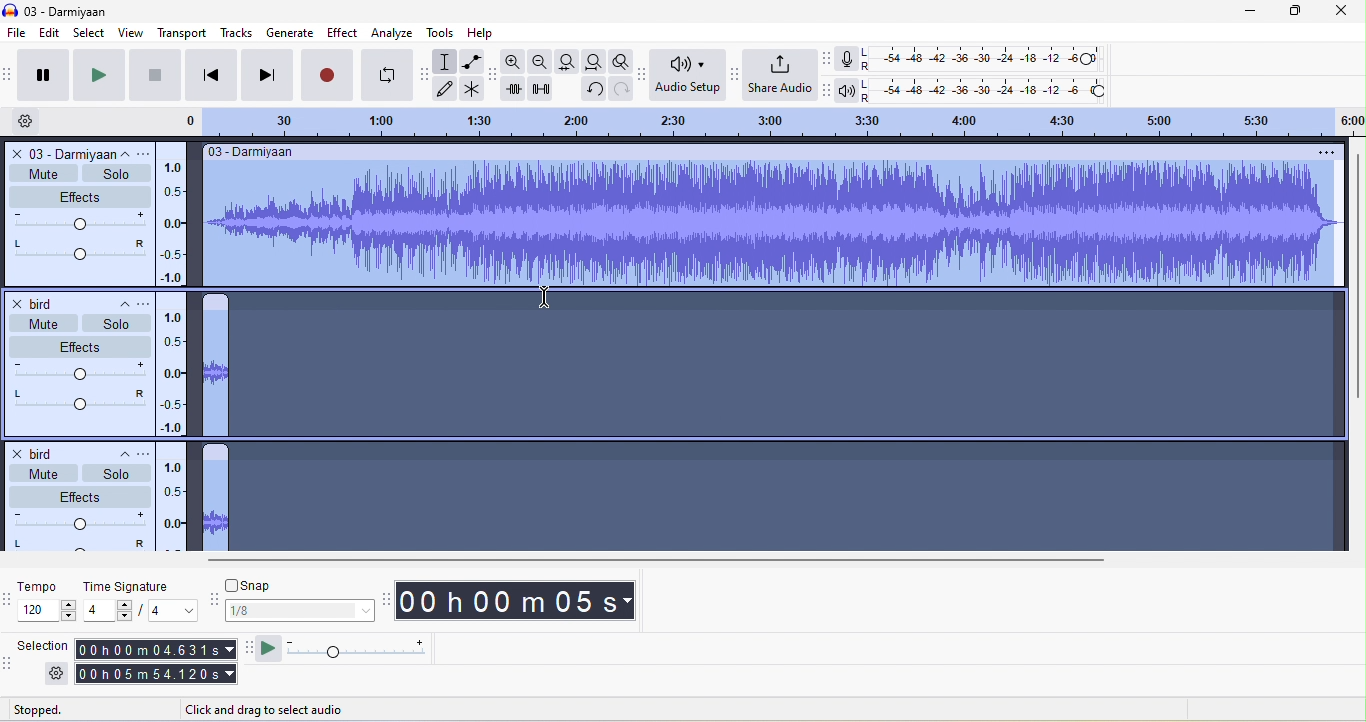  What do you see at coordinates (544, 89) in the screenshot?
I see `silence audio selection` at bounding box center [544, 89].